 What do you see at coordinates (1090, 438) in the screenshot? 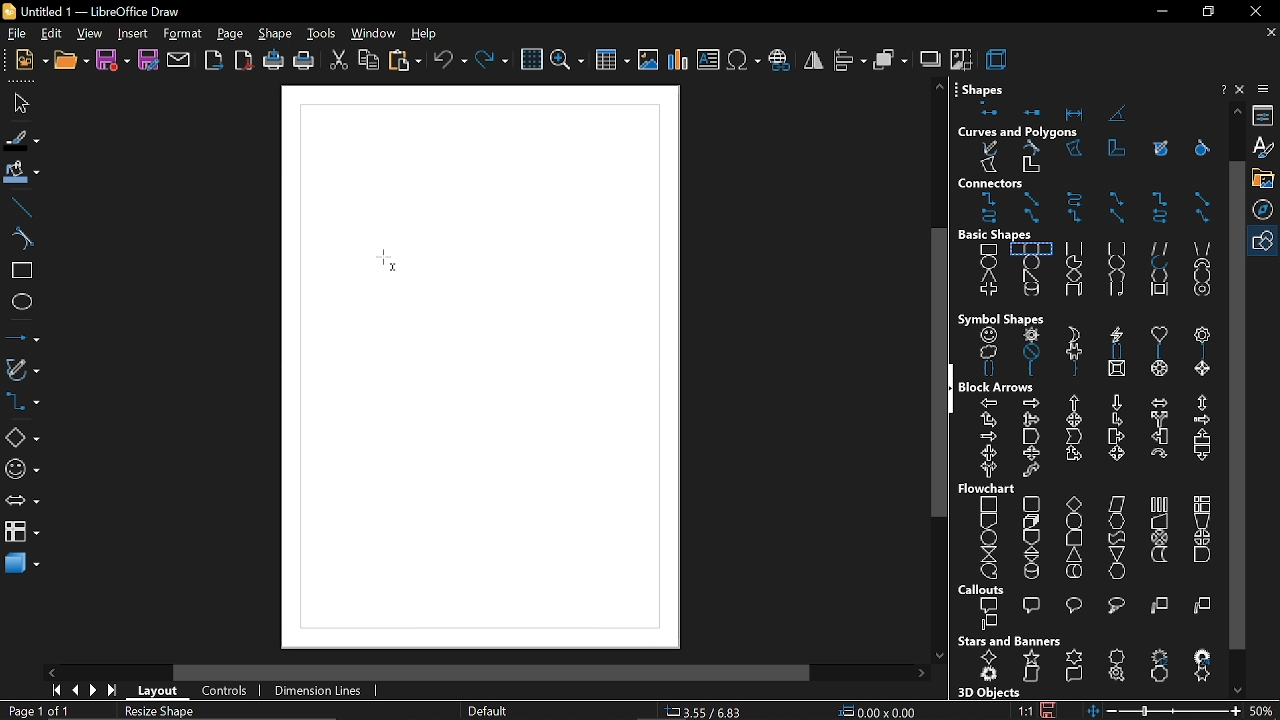
I see `block arrows` at bounding box center [1090, 438].